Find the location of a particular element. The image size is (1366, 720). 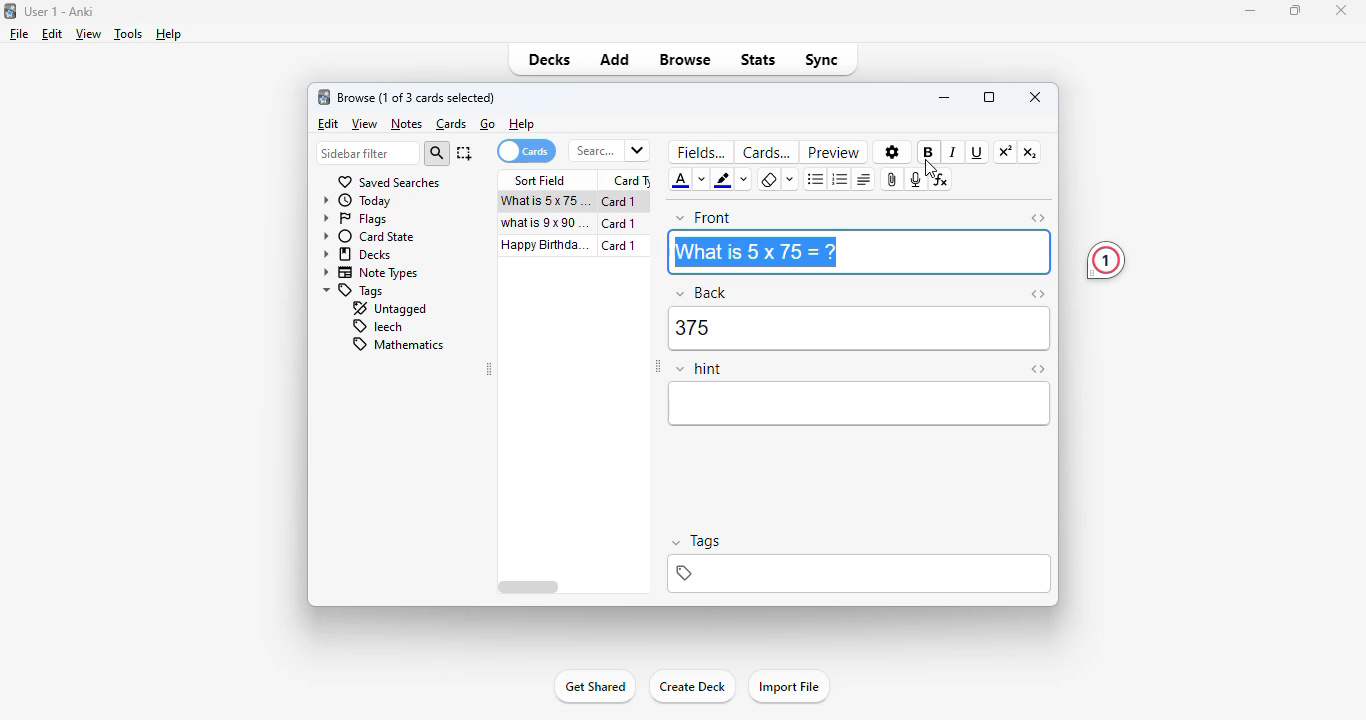

toggle HTML editor is located at coordinates (1038, 369).